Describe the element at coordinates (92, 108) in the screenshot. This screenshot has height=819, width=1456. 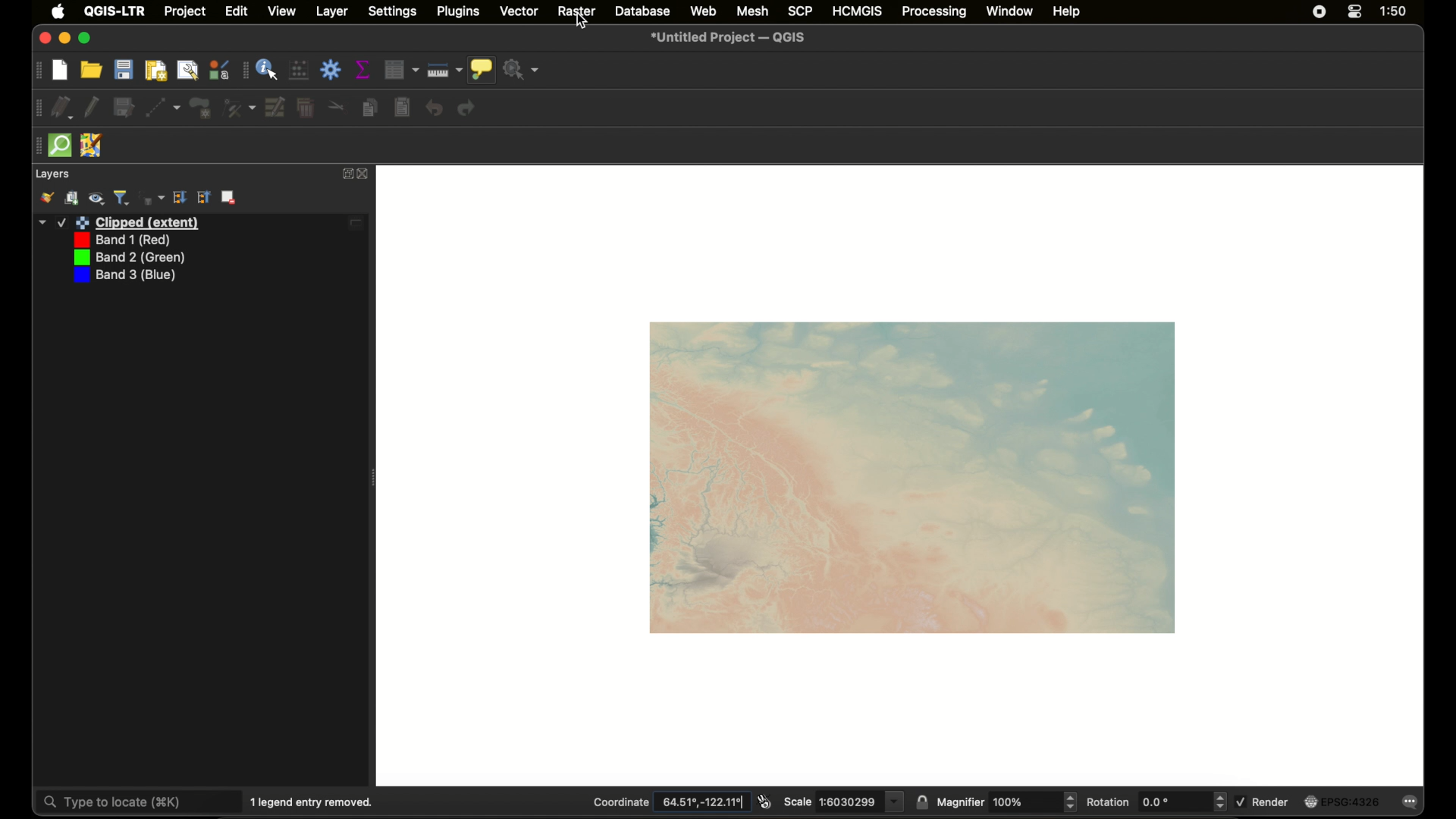
I see `toggle editing` at that location.